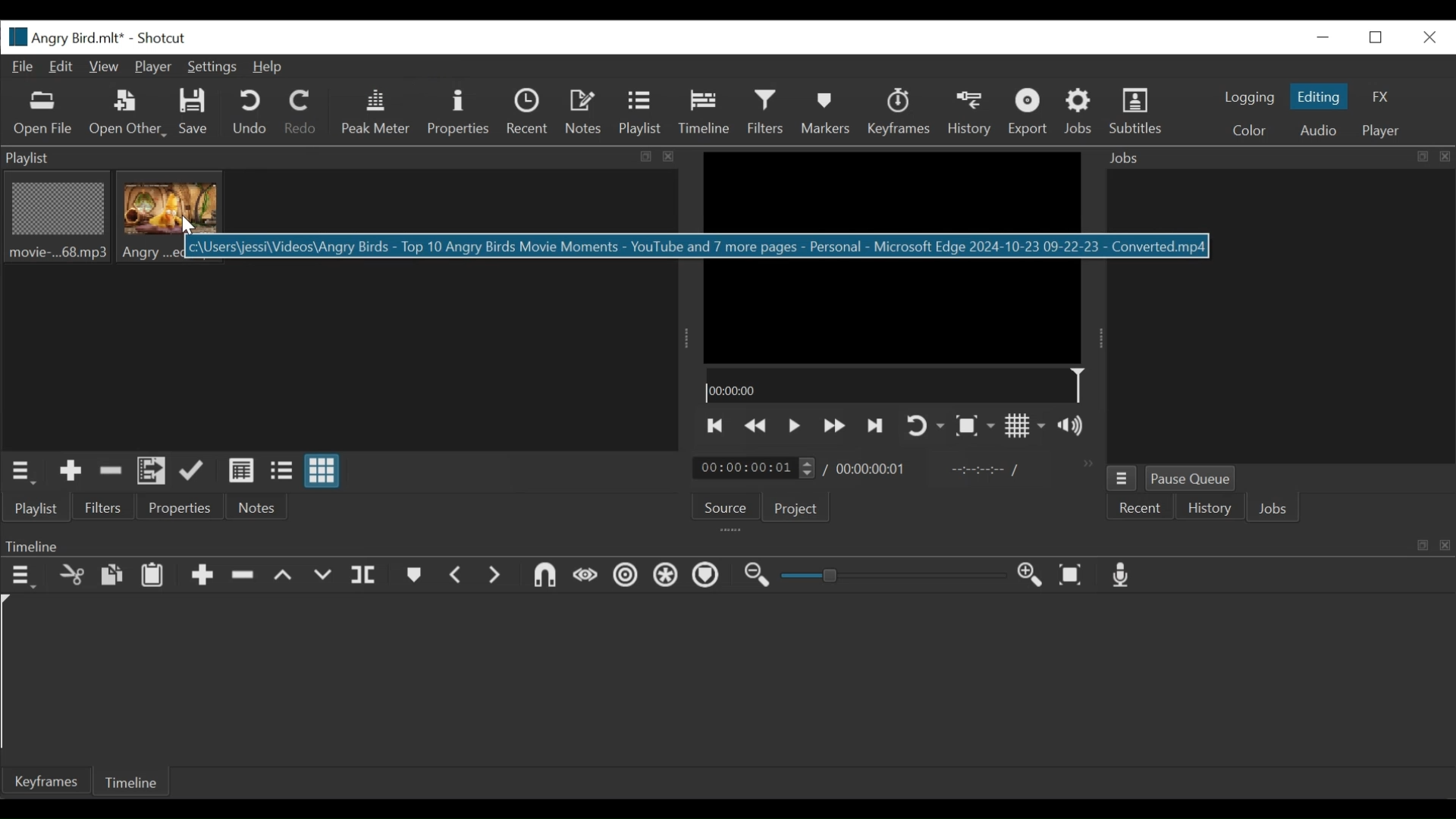 This screenshot has width=1456, height=819. Describe the element at coordinates (1073, 576) in the screenshot. I see `Zoom timeline to fit` at that location.